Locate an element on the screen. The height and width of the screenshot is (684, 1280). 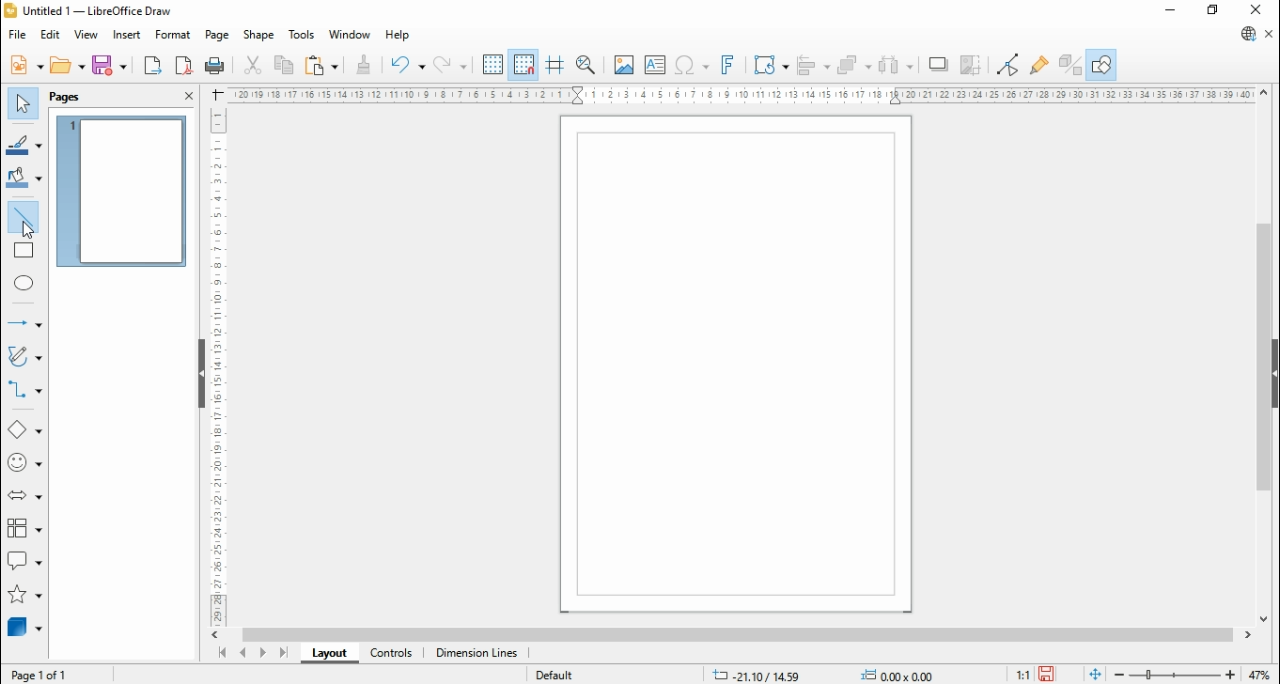
select at least three objects to distribute is located at coordinates (897, 65).